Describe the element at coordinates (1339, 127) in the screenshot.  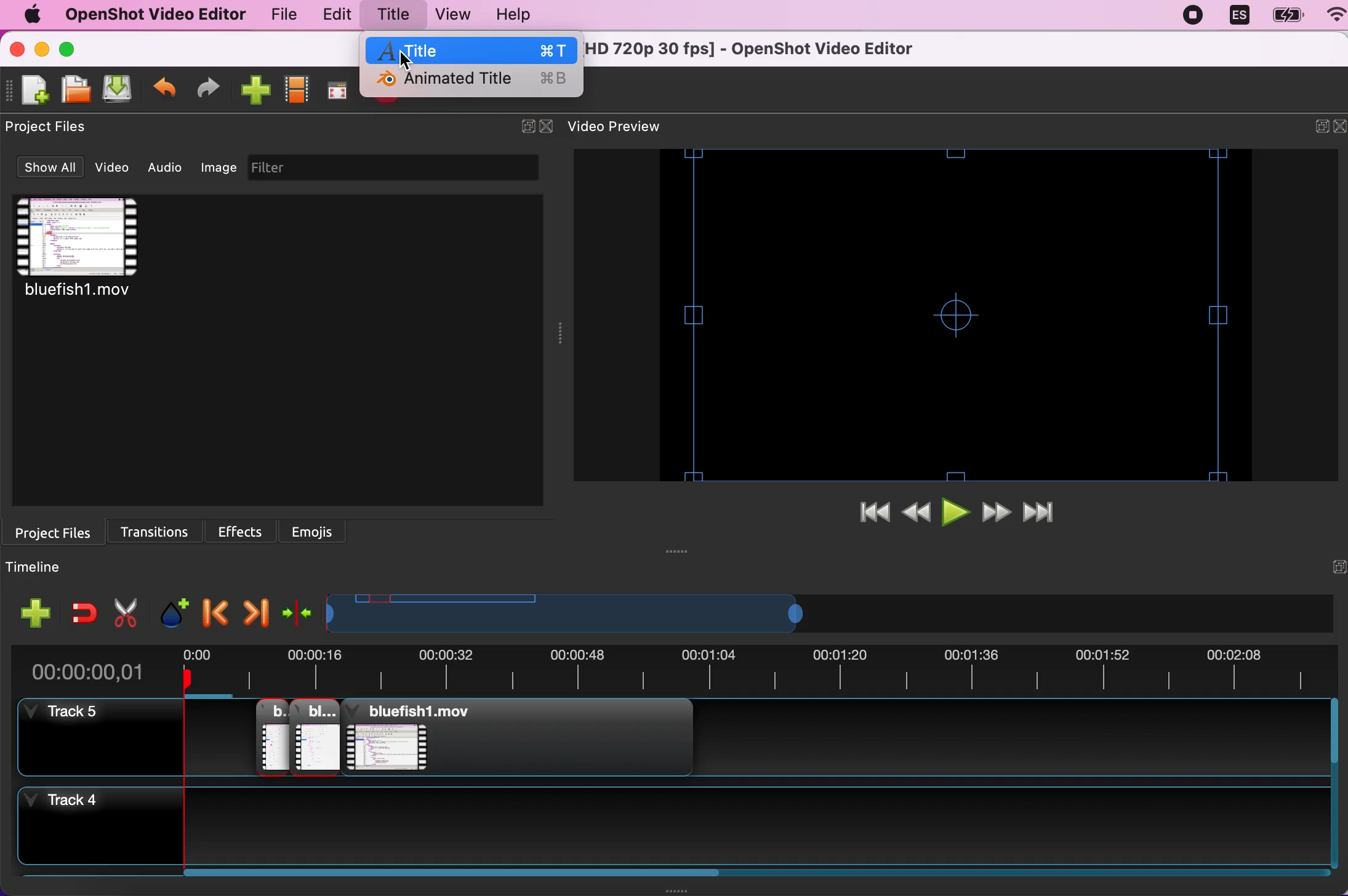
I see `close` at that location.